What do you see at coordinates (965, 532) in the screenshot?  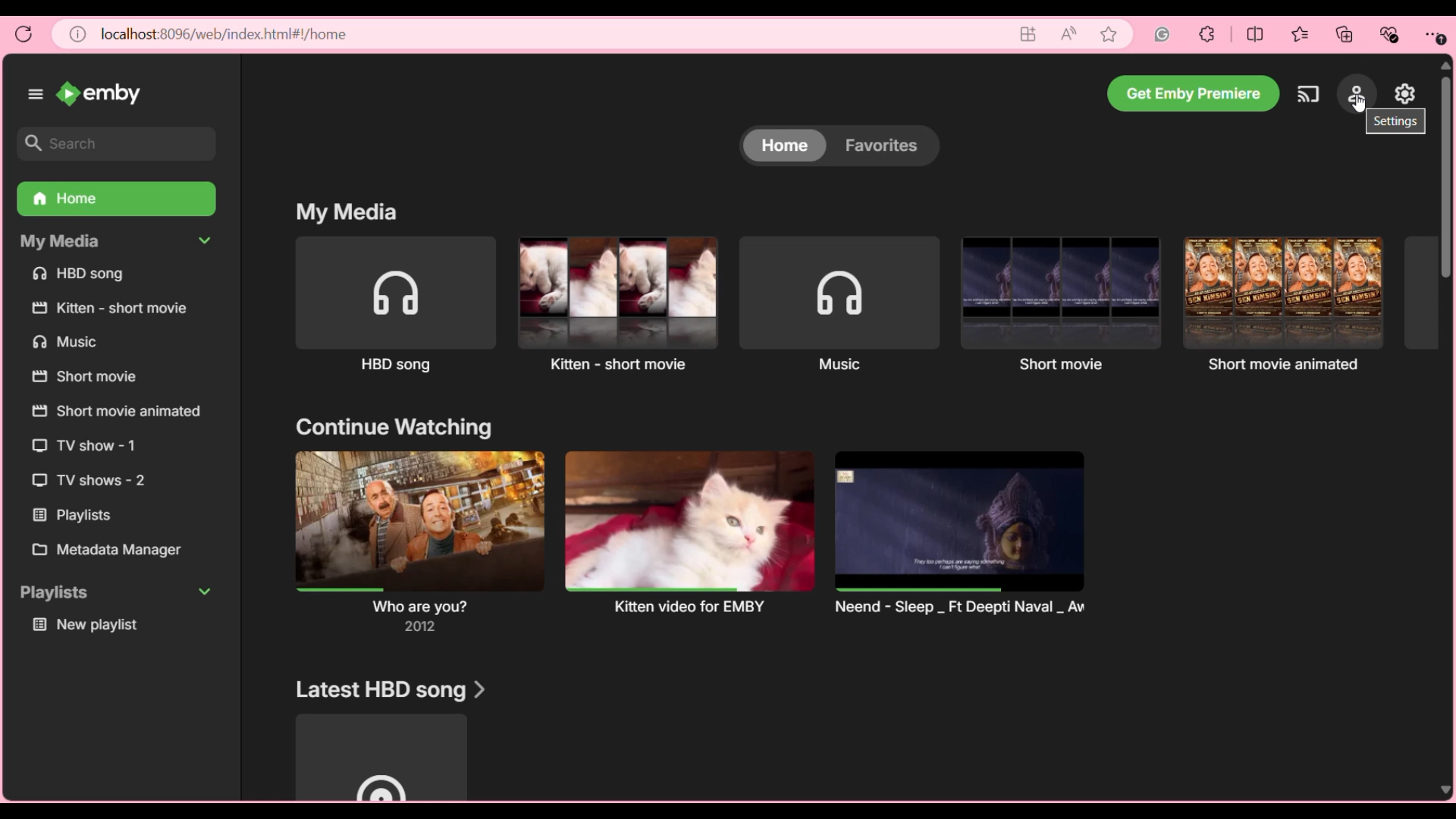 I see `neend-sleep-ft deepti naval` at bounding box center [965, 532].